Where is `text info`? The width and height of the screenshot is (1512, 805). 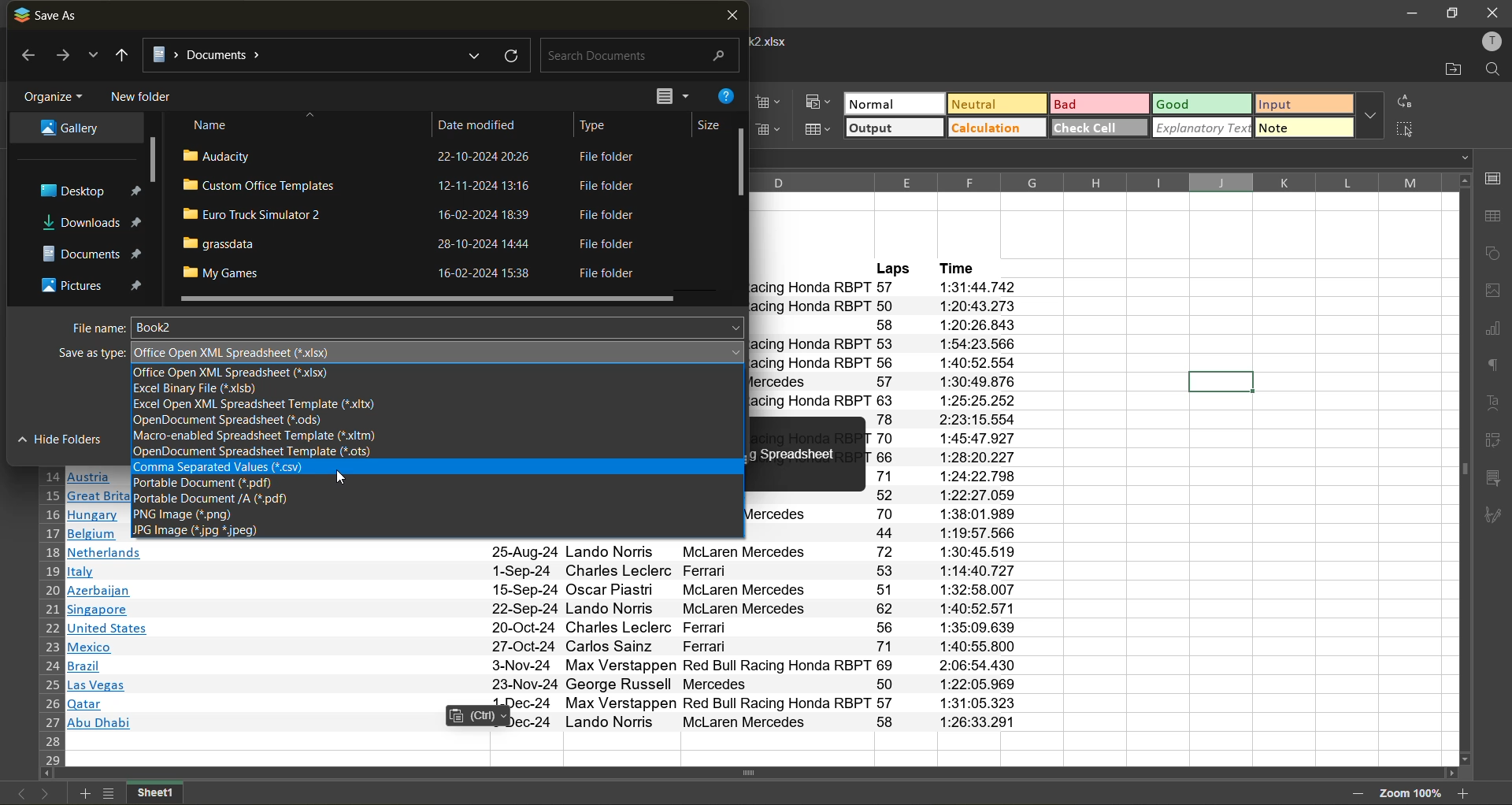 text info is located at coordinates (547, 610).